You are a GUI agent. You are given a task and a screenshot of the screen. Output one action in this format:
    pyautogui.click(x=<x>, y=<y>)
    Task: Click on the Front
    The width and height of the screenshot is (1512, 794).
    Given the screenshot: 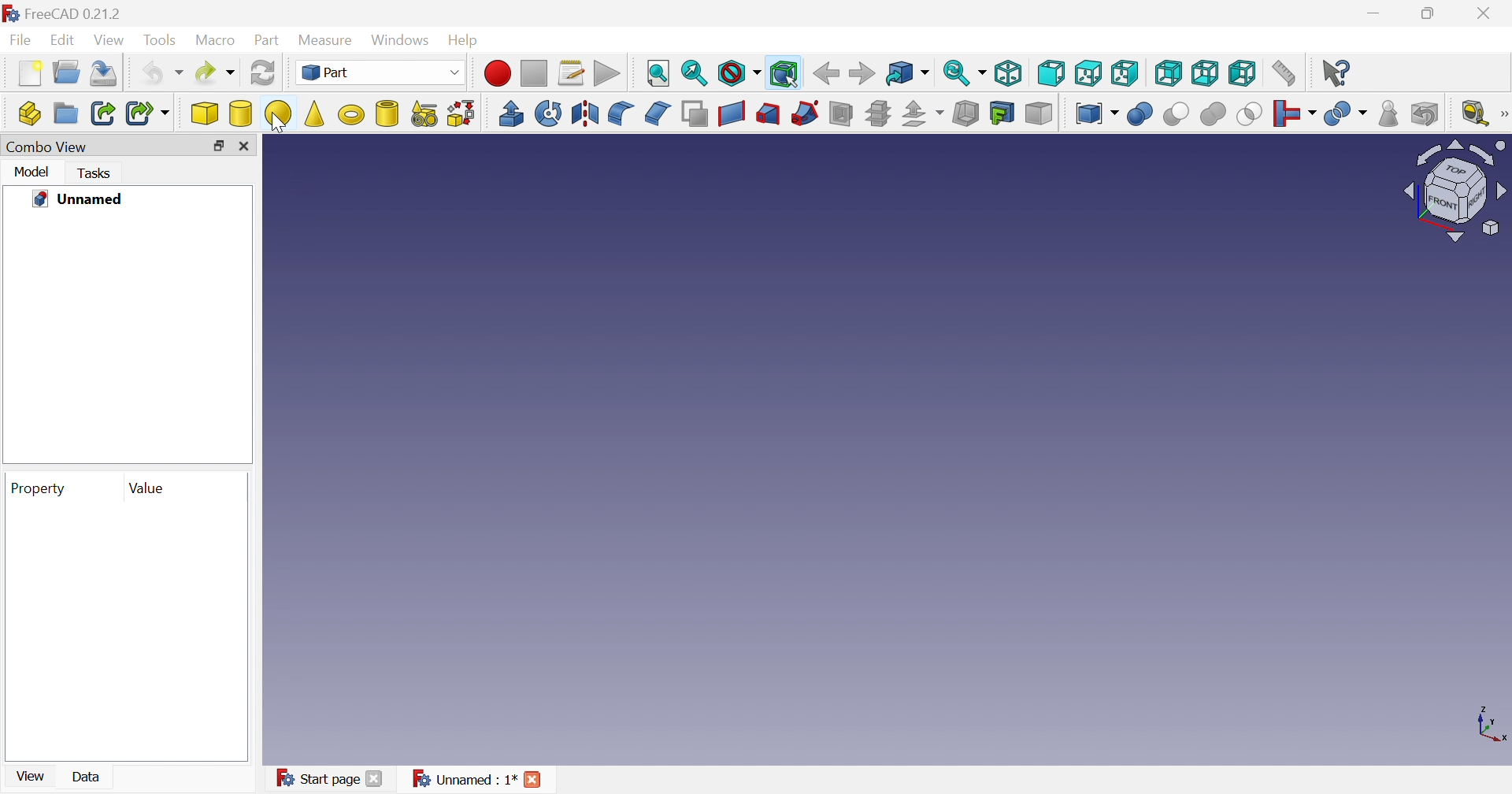 What is the action you would take?
    pyautogui.click(x=1052, y=72)
    